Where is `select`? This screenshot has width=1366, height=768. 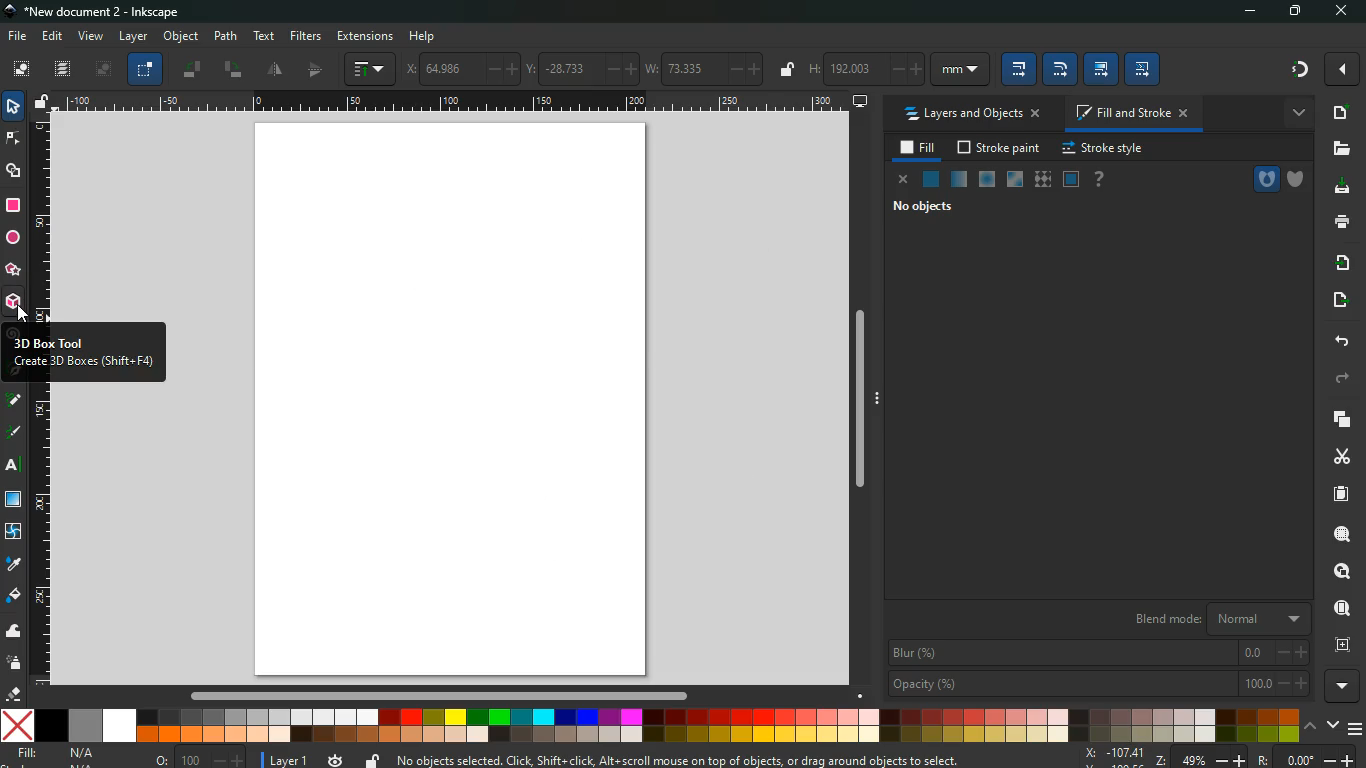 select is located at coordinates (15, 108).